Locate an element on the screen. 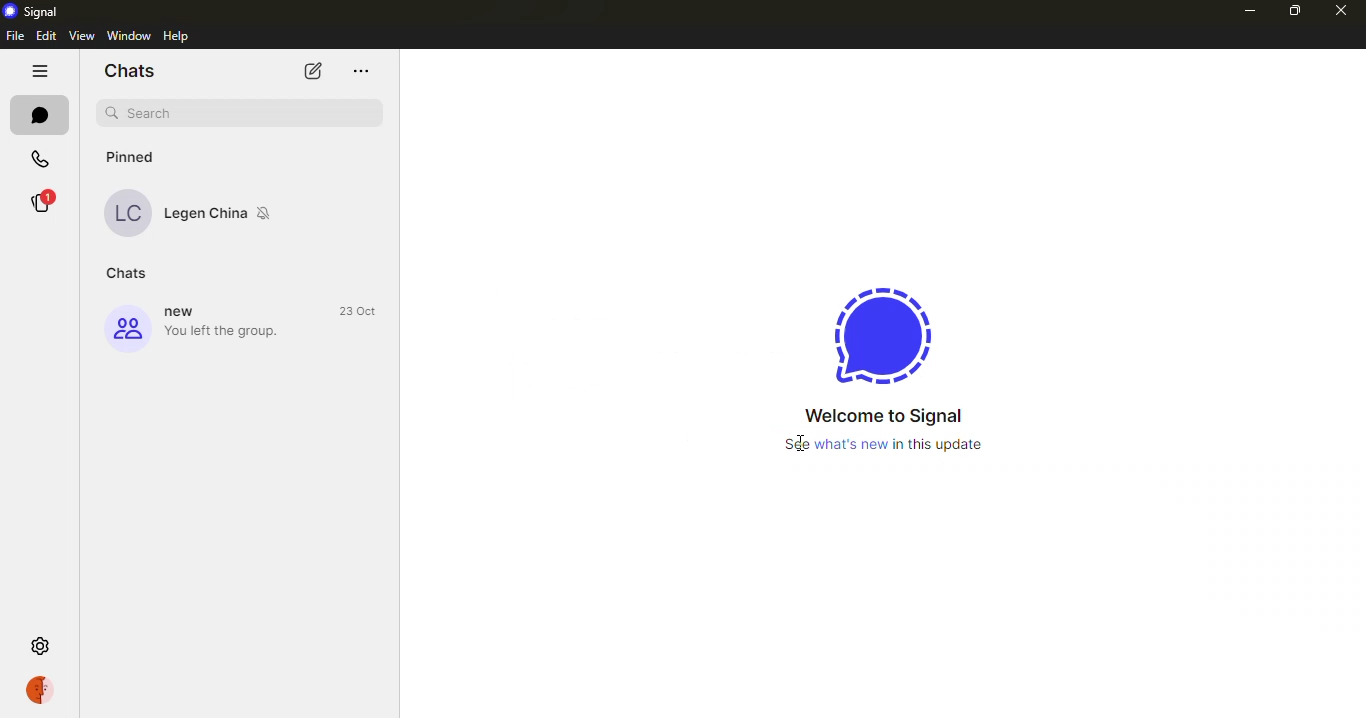  time is located at coordinates (366, 195).